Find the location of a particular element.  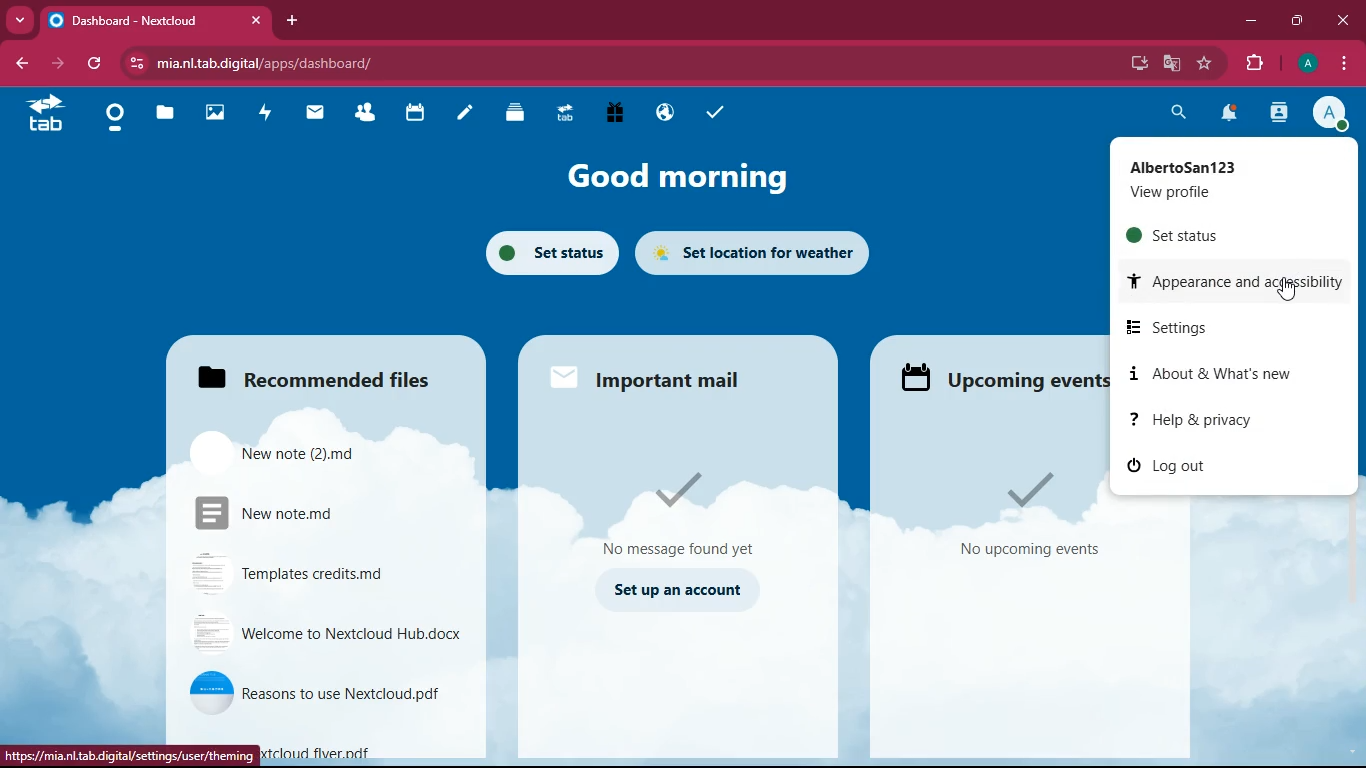

about is located at coordinates (1229, 375).